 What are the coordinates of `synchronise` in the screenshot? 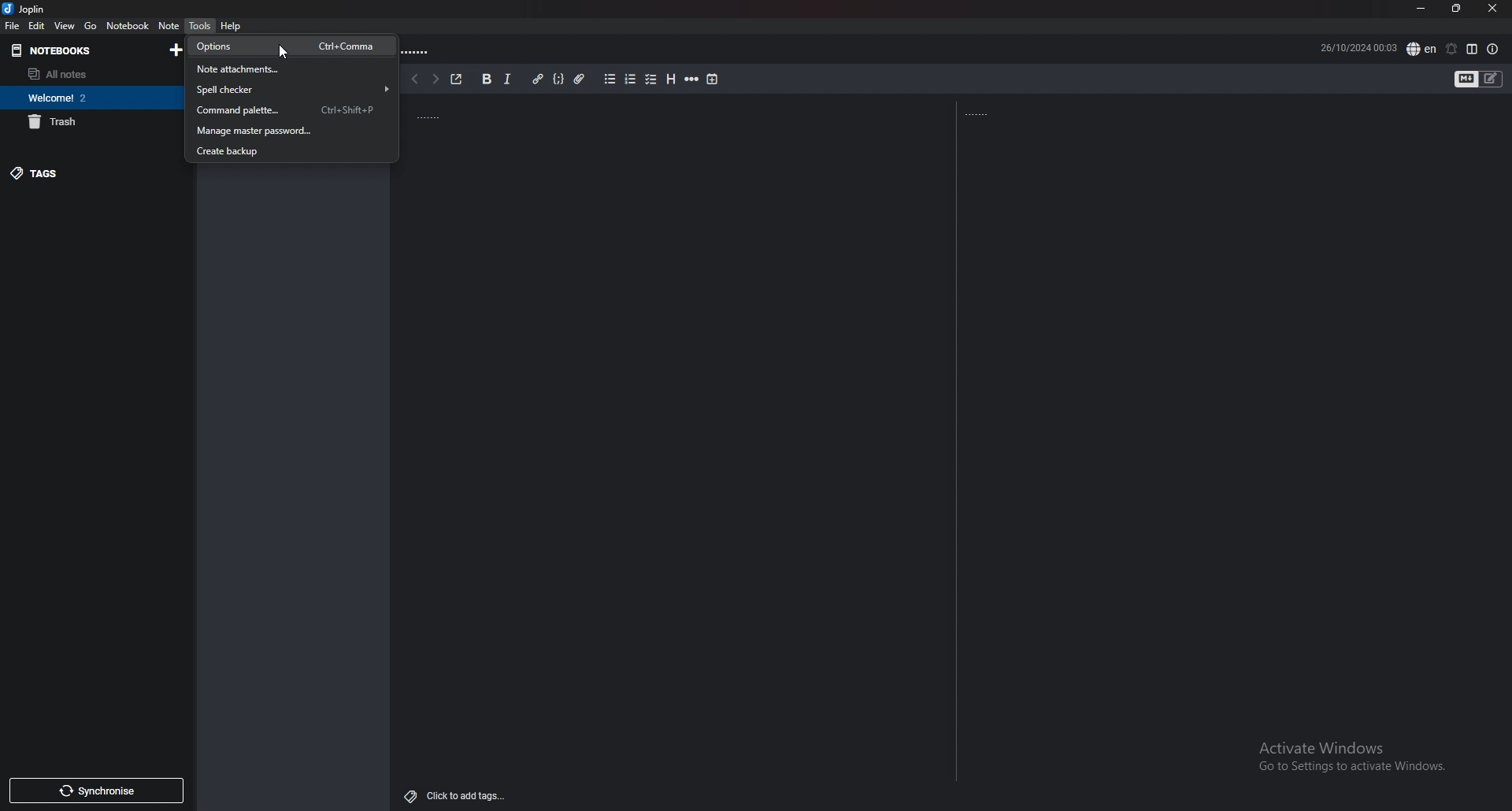 It's located at (97, 791).